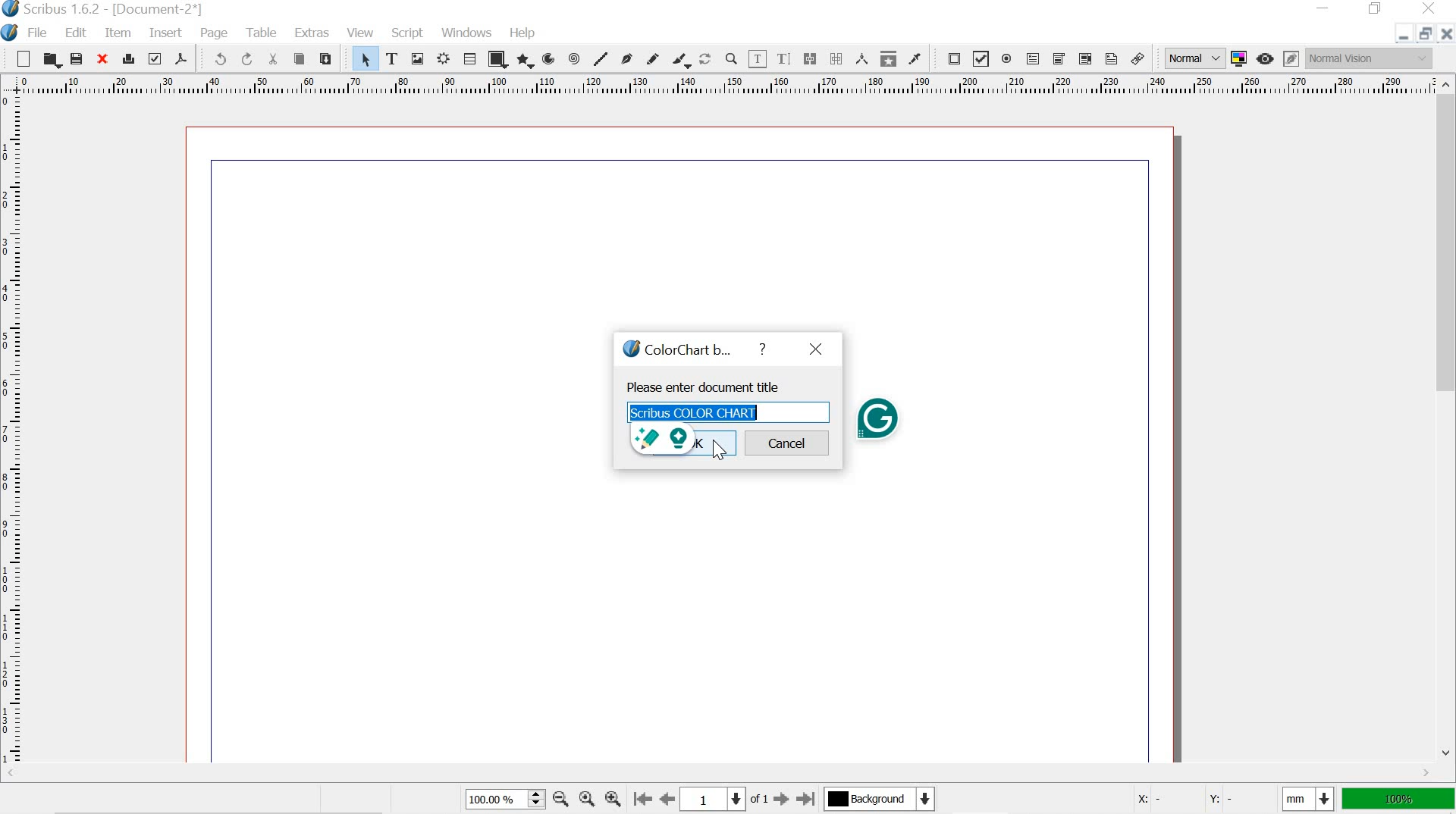 This screenshot has height=814, width=1456. I want to click on item, so click(118, 33).